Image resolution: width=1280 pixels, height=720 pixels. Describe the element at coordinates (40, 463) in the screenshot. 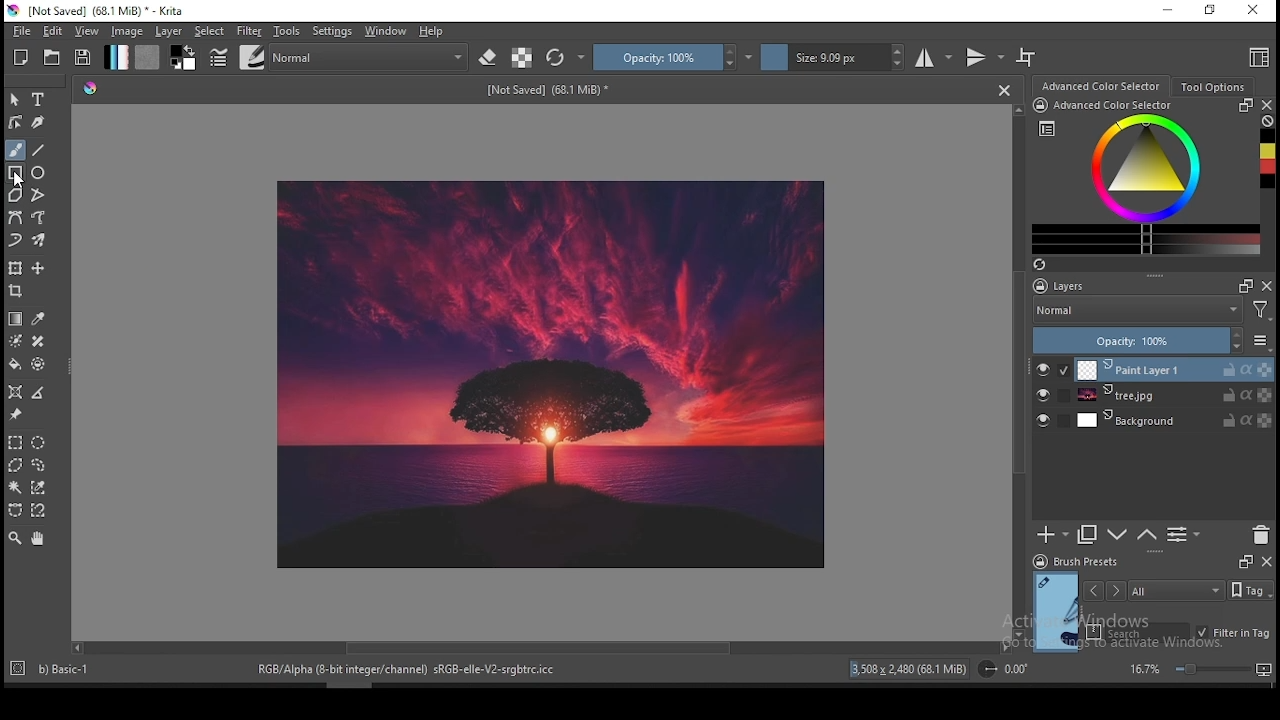

I see `freehand selection tool` at that location.